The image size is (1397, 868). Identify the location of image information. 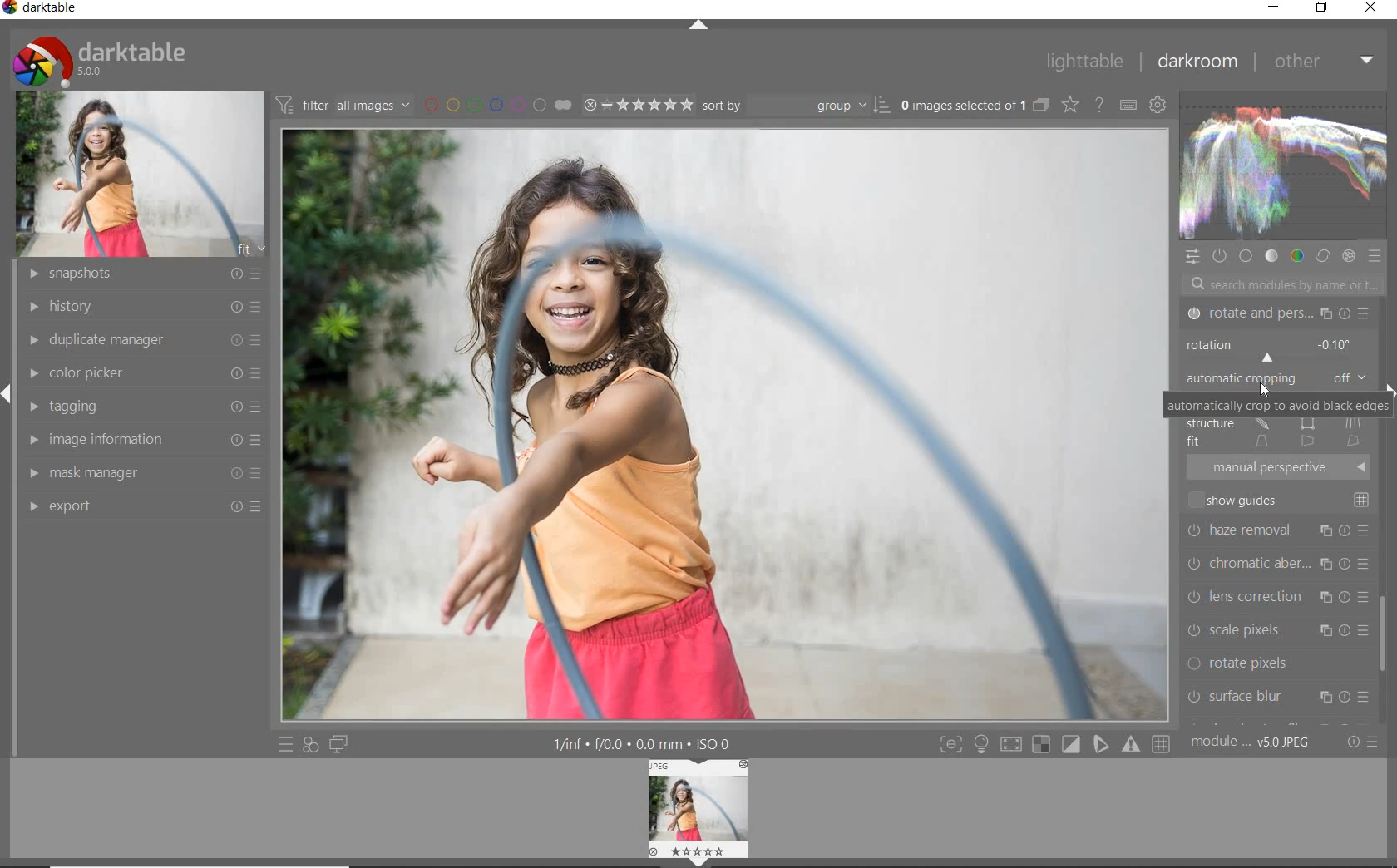
(143, 441).